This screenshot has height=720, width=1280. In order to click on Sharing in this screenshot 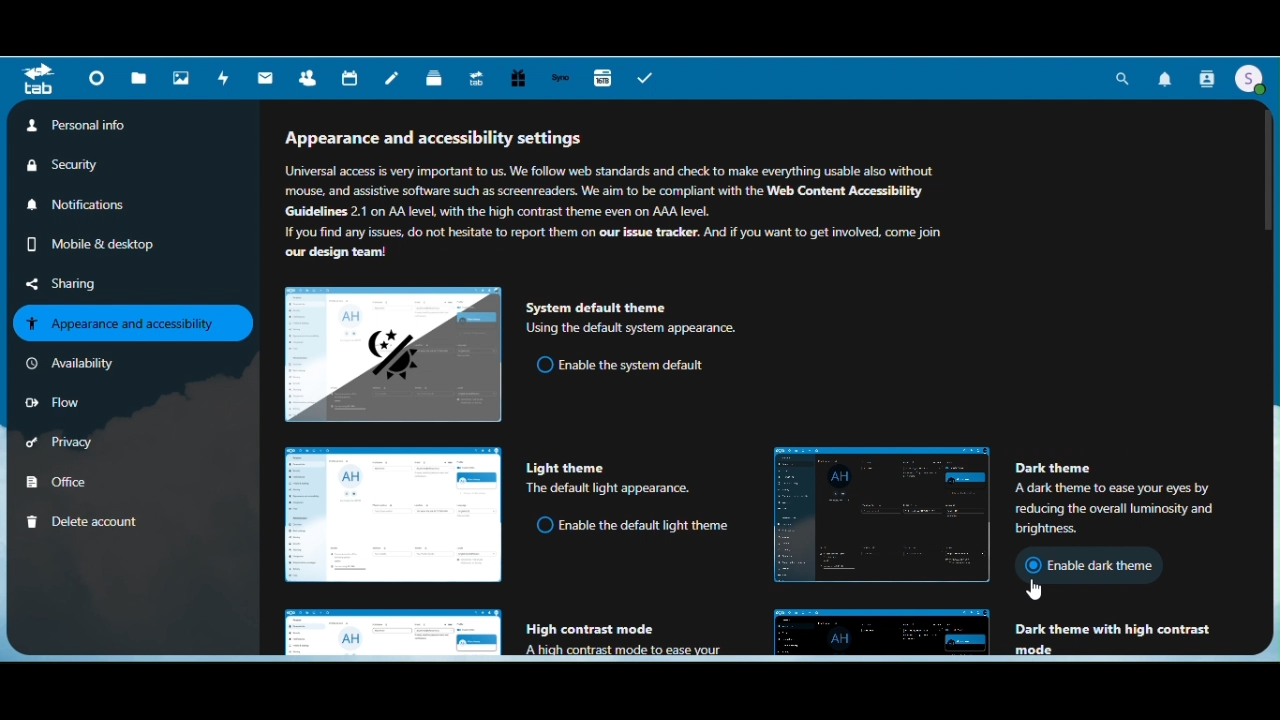, I will do `click(74, 283)`.